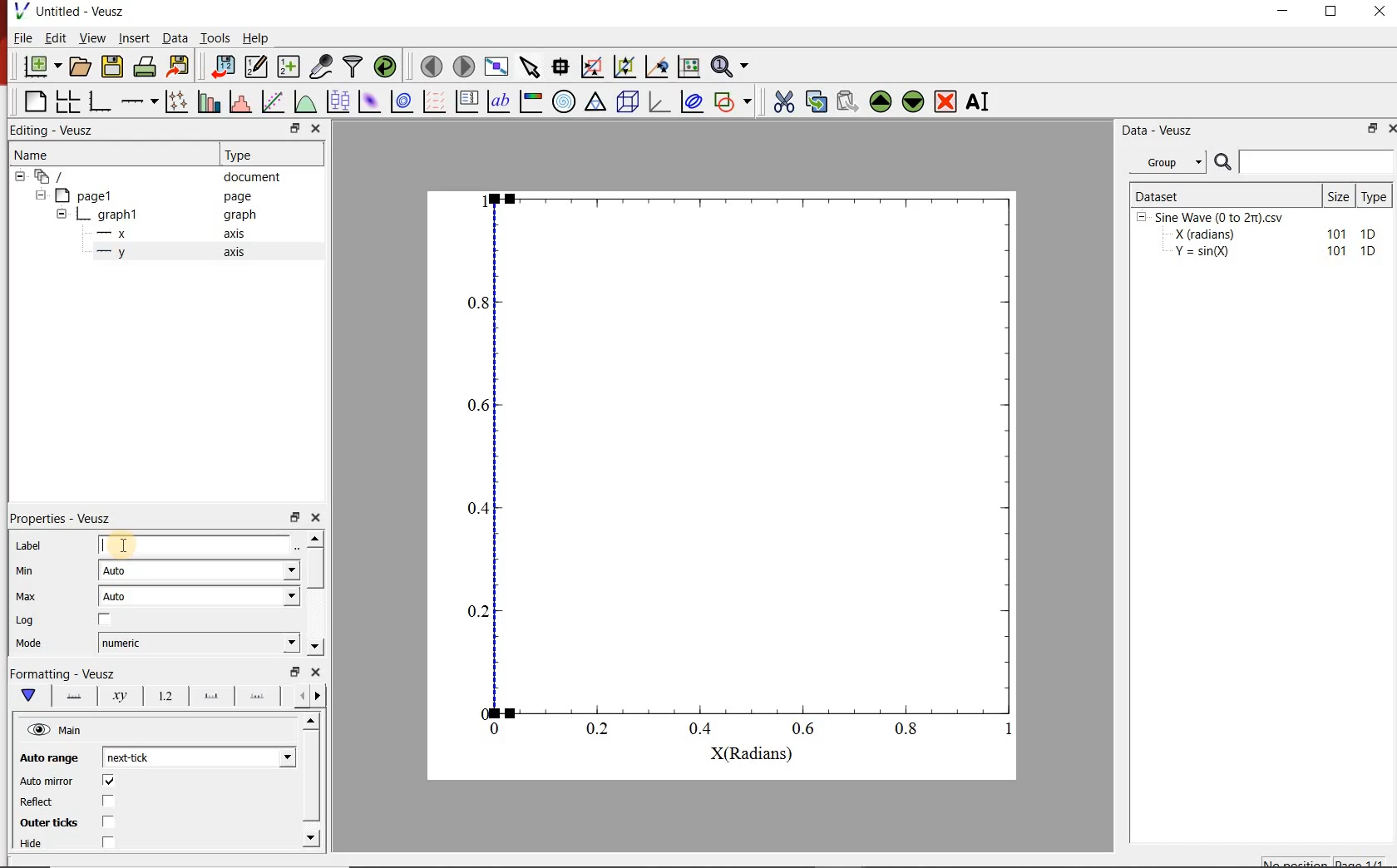  Describe the element at coordinates (163, 697) in the screenshot. I see `1.2` at that location.